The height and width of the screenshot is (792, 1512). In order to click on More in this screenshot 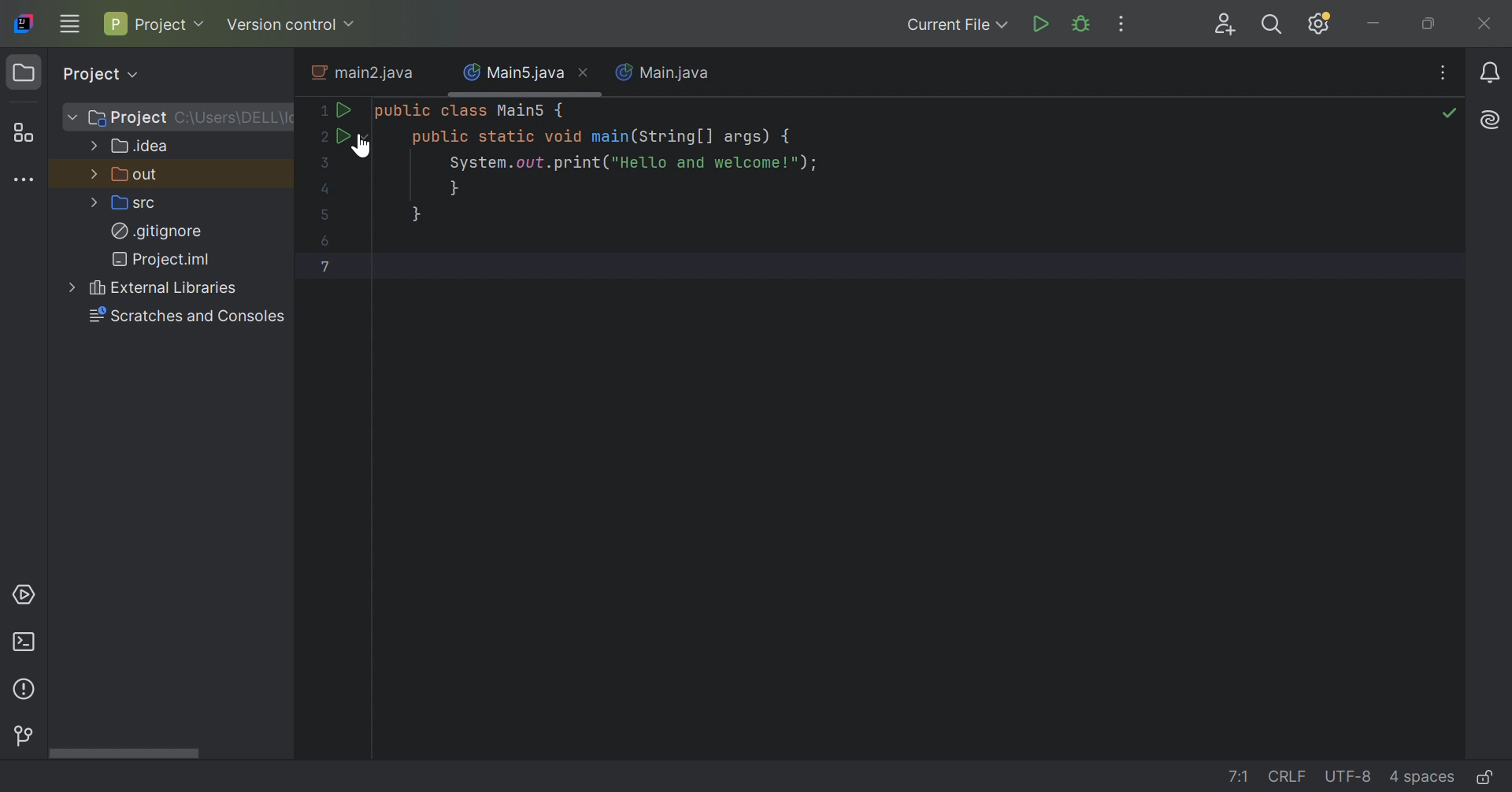, I will do `click(69, 116)`.